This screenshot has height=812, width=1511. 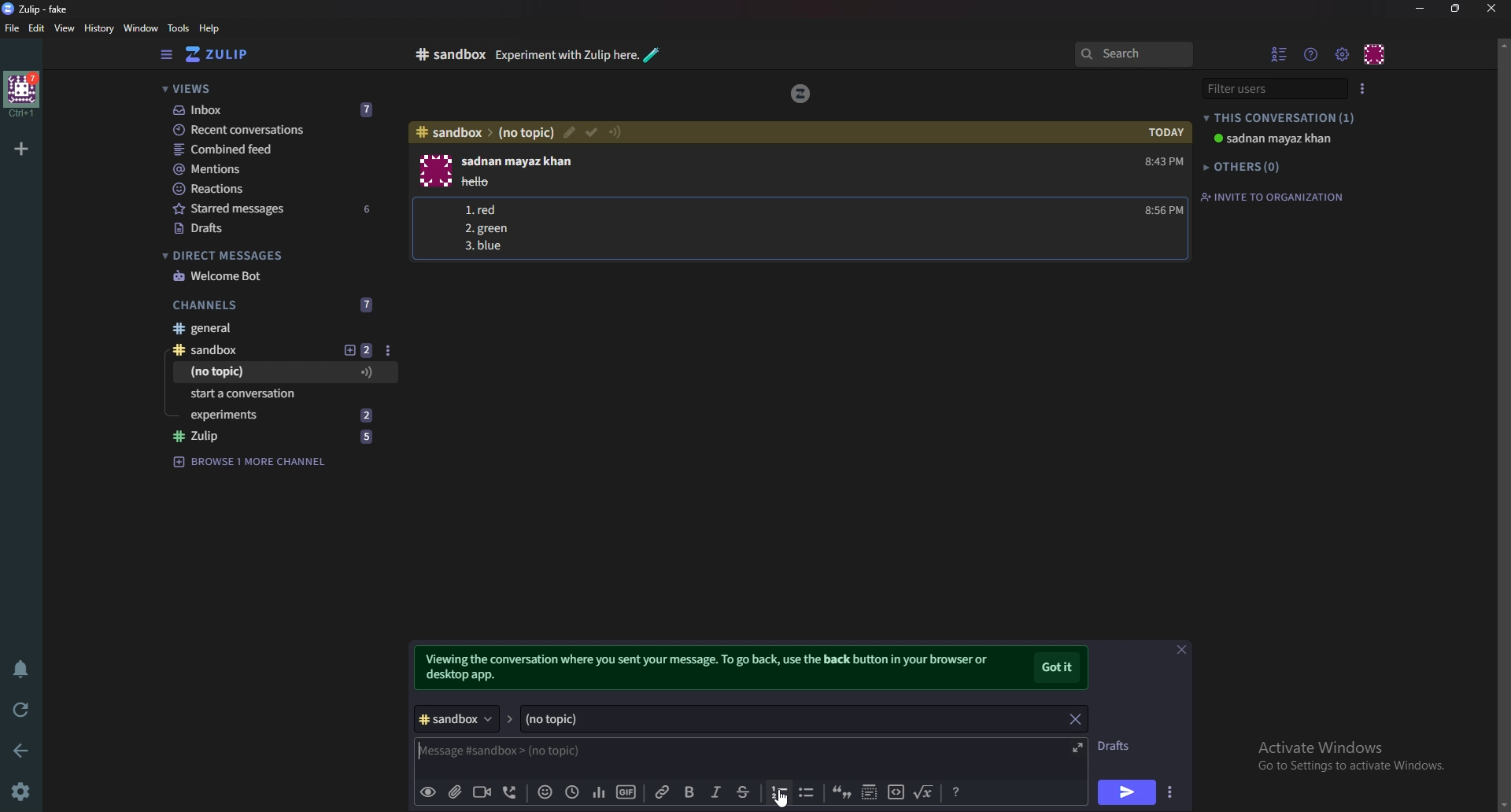 What do you see at coordinates (65, 29) in the screenshot?
I see `View` at bounding box center [65, 29].